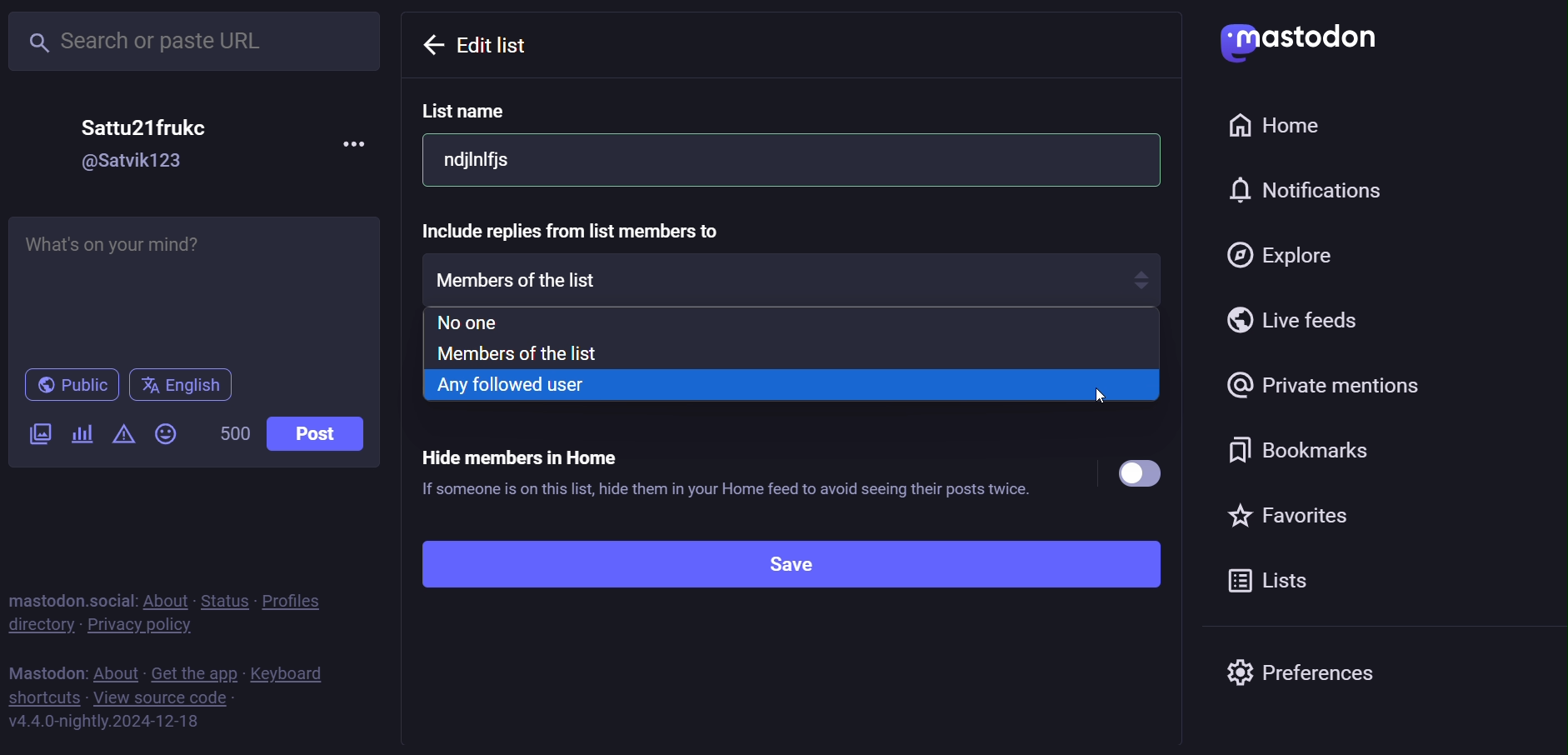  Describe the element at coordinates (1317, 192) in the screenshot. I see `notification` at that location.